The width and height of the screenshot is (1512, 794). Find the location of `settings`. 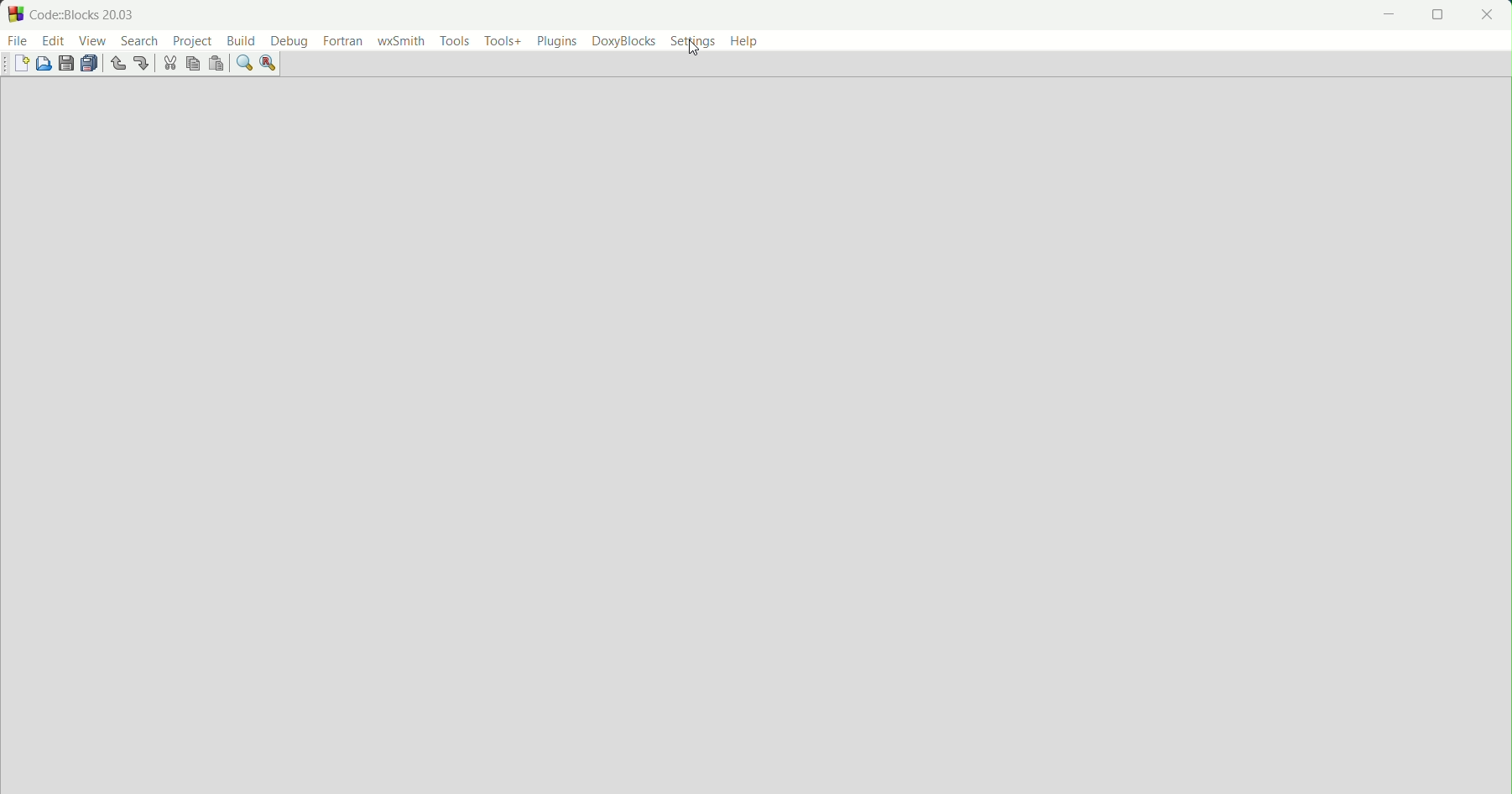

settings is located at coordinates (693, 42).